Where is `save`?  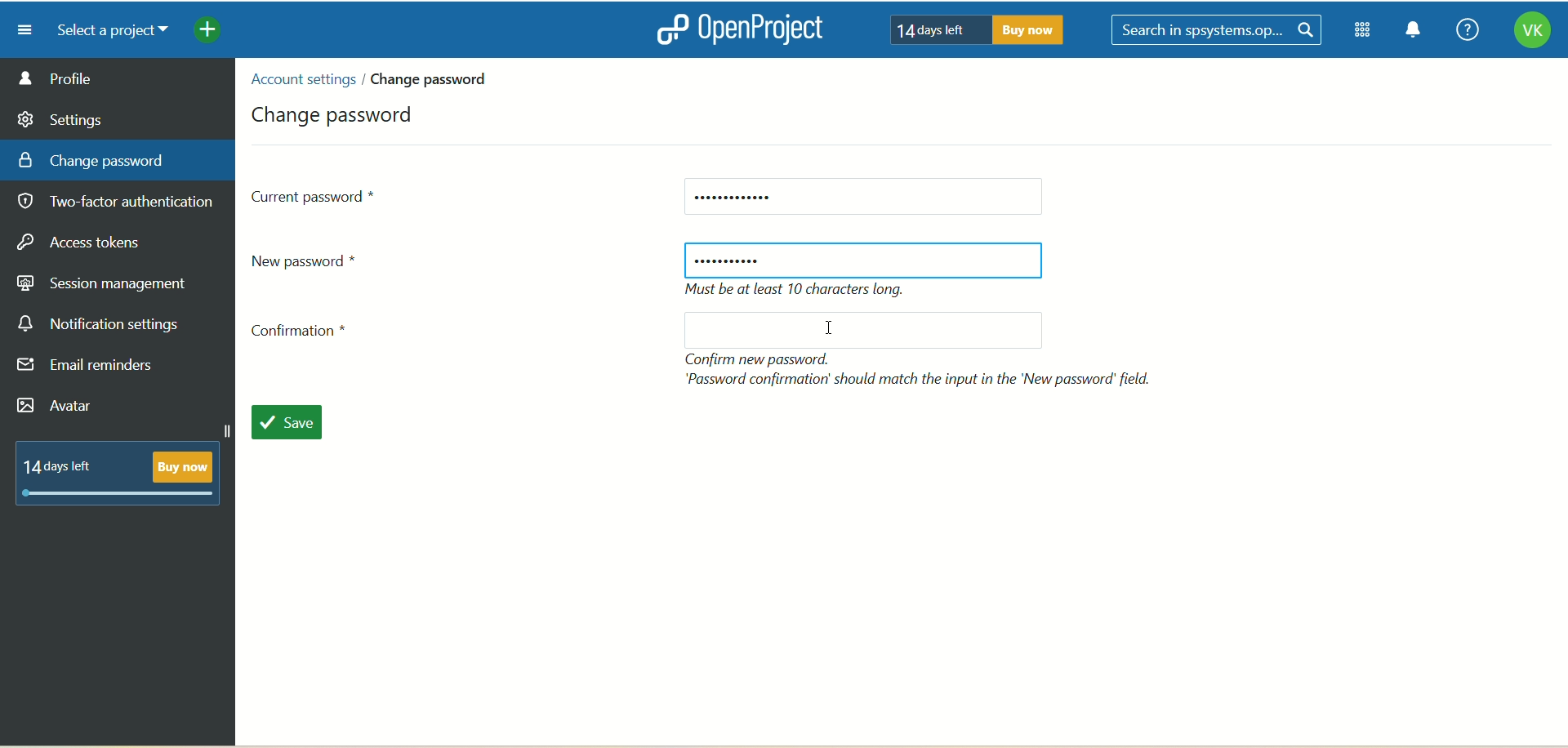 save is located at coordinates (296, 425).